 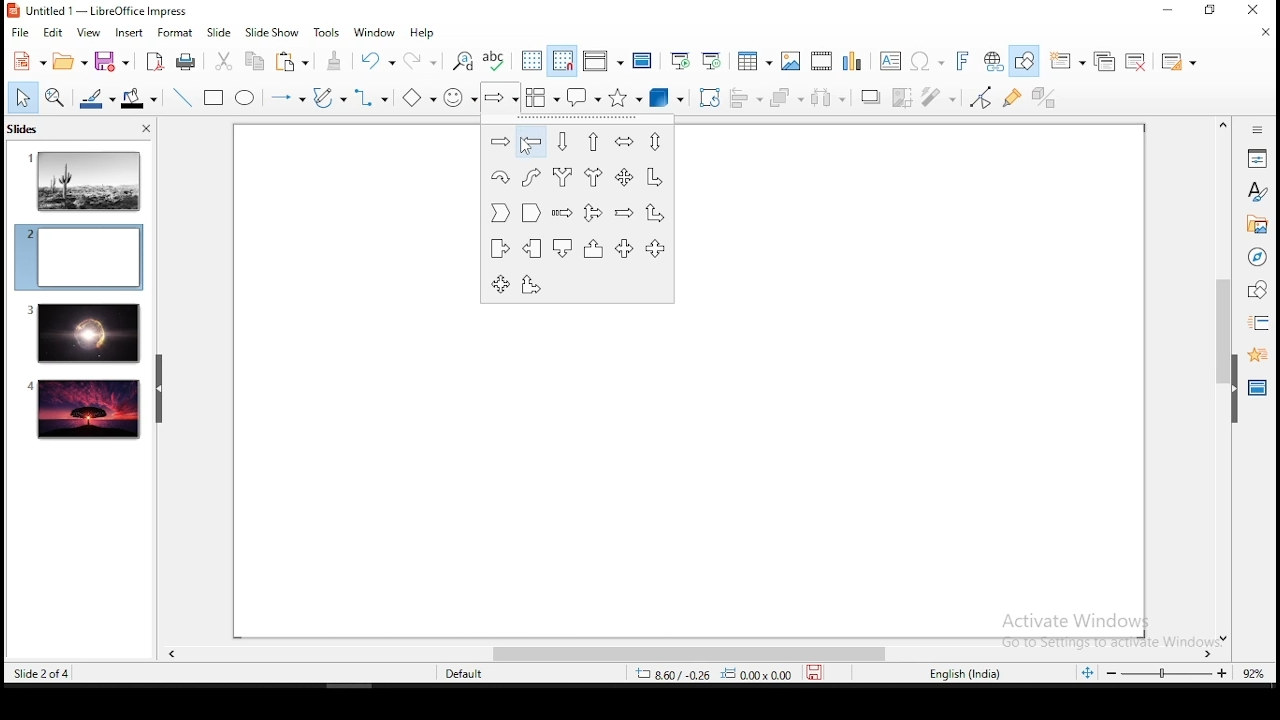 I want to click on slide 2 of 4, so click(x=44, y=674).